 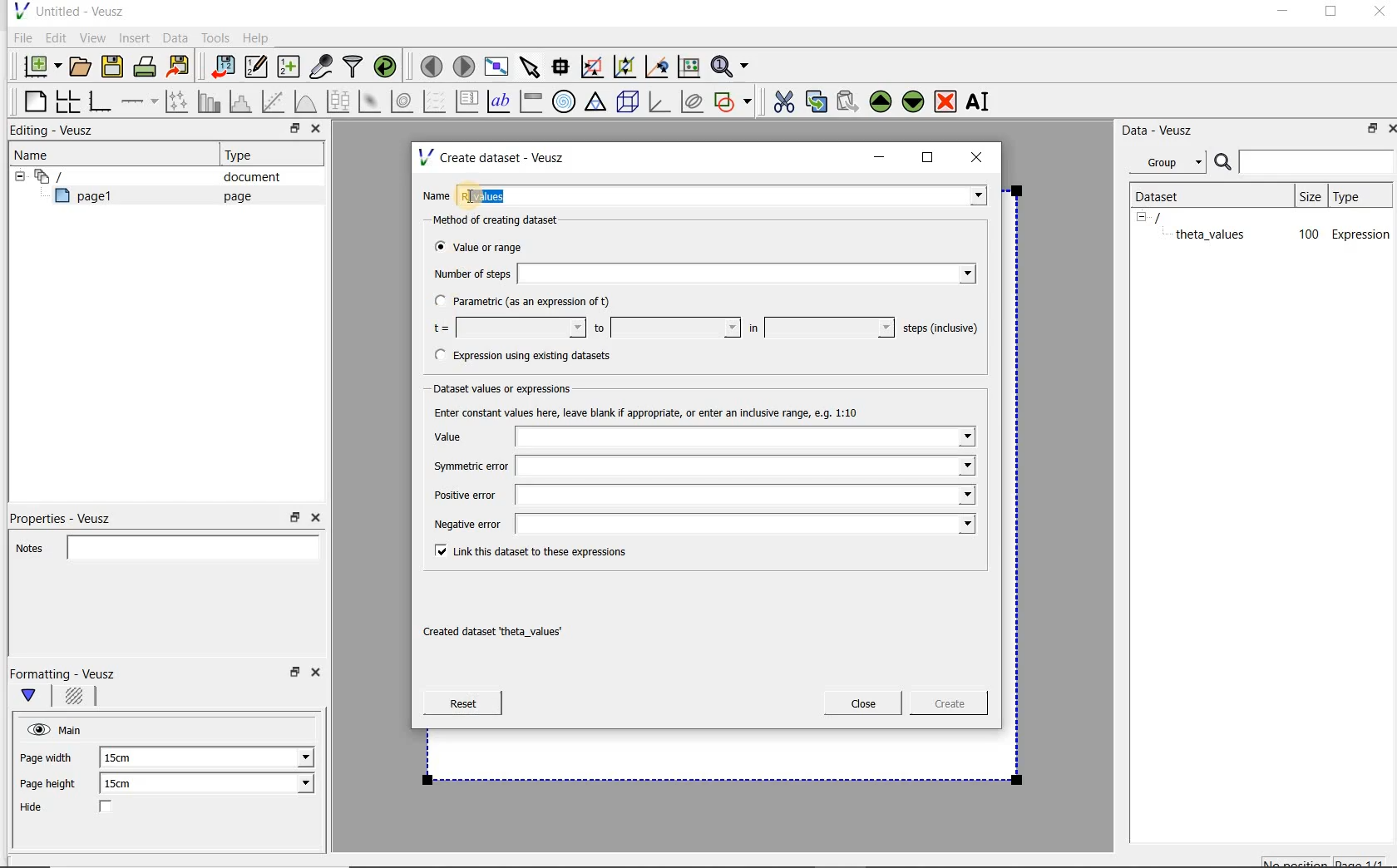 What do you see at coordinates (689, 66) in the screenshot?
I see `click to reset graph axes` at bounding box center [689, 66].